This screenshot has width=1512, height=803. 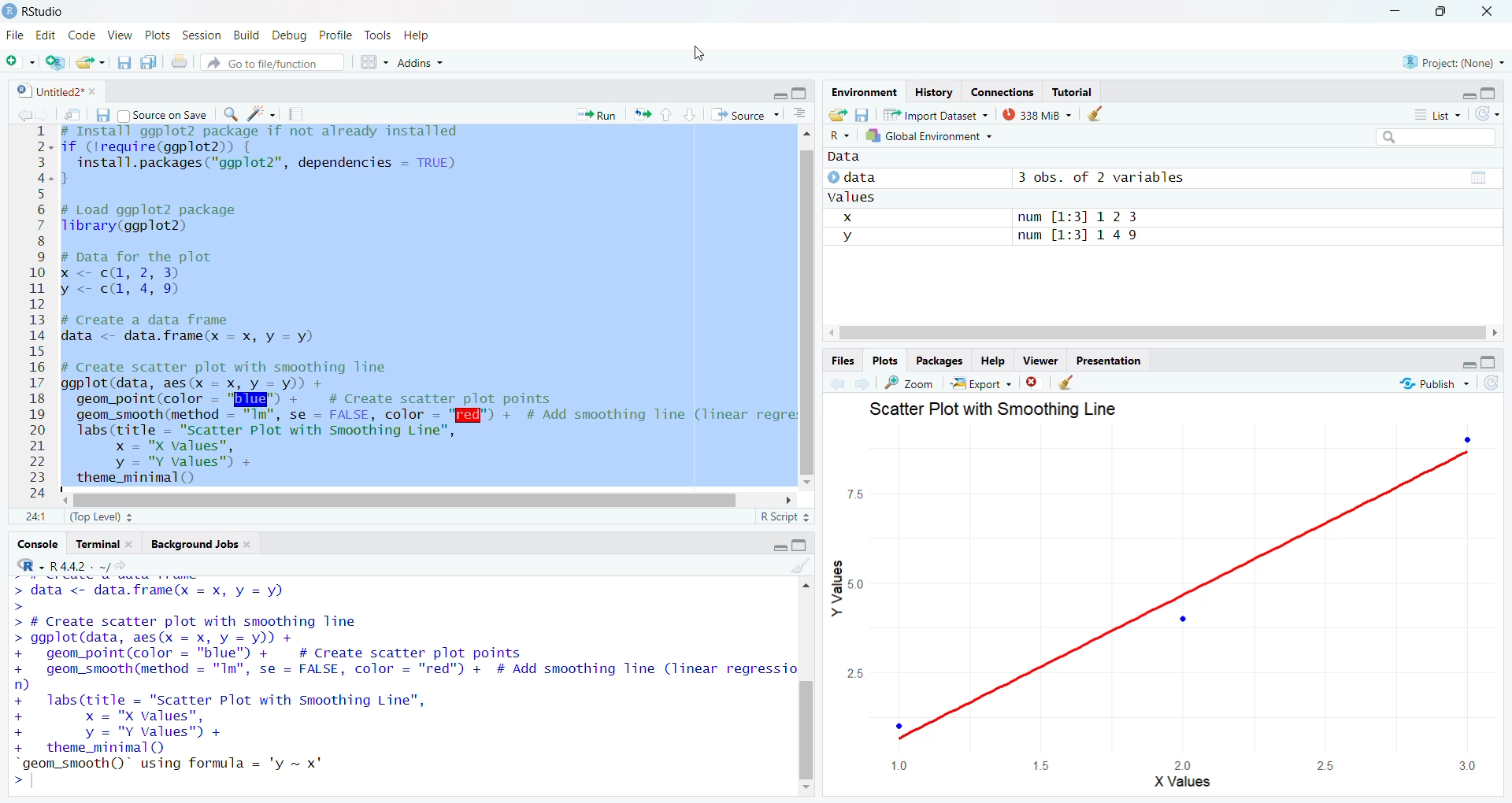 What do you see at coordinates (859, 176) in the screenshot?
I see `© data` at bounding box center [859, 176].